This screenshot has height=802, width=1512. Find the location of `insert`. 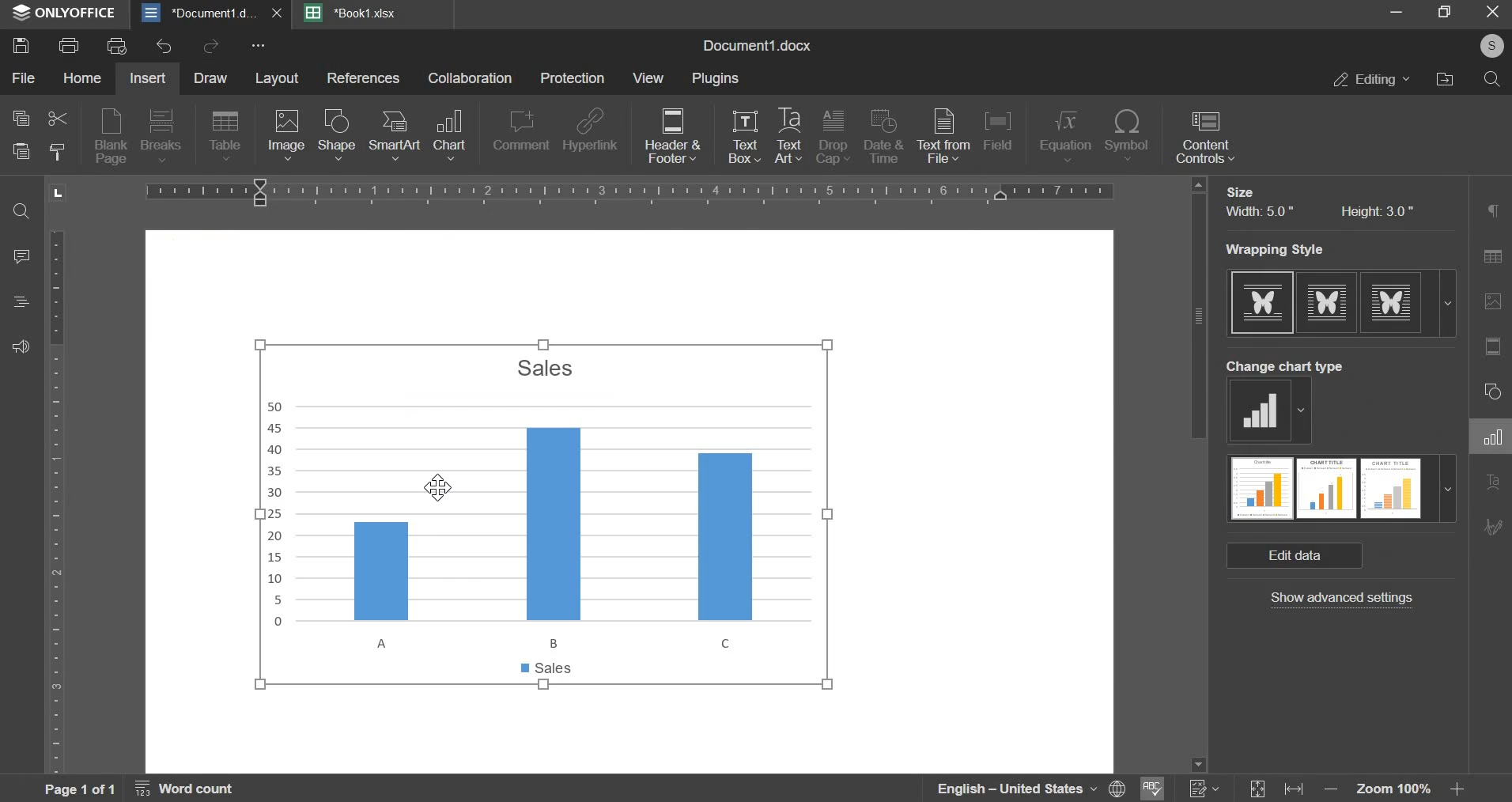

insert is located at coordinates (149, 79).